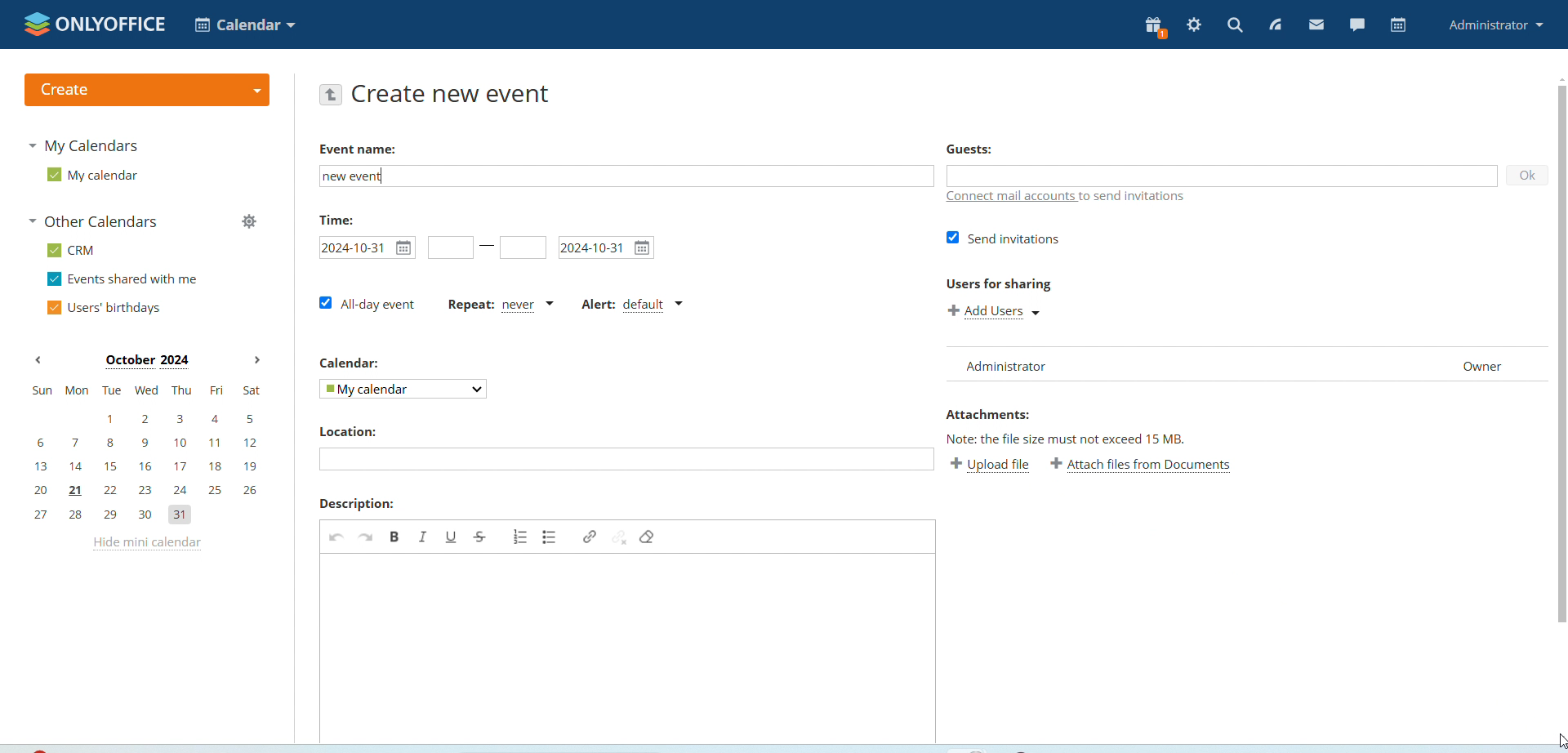 The width and height of the screenshot is (1568, 753). I want to click on settings, so click(1195, 25).